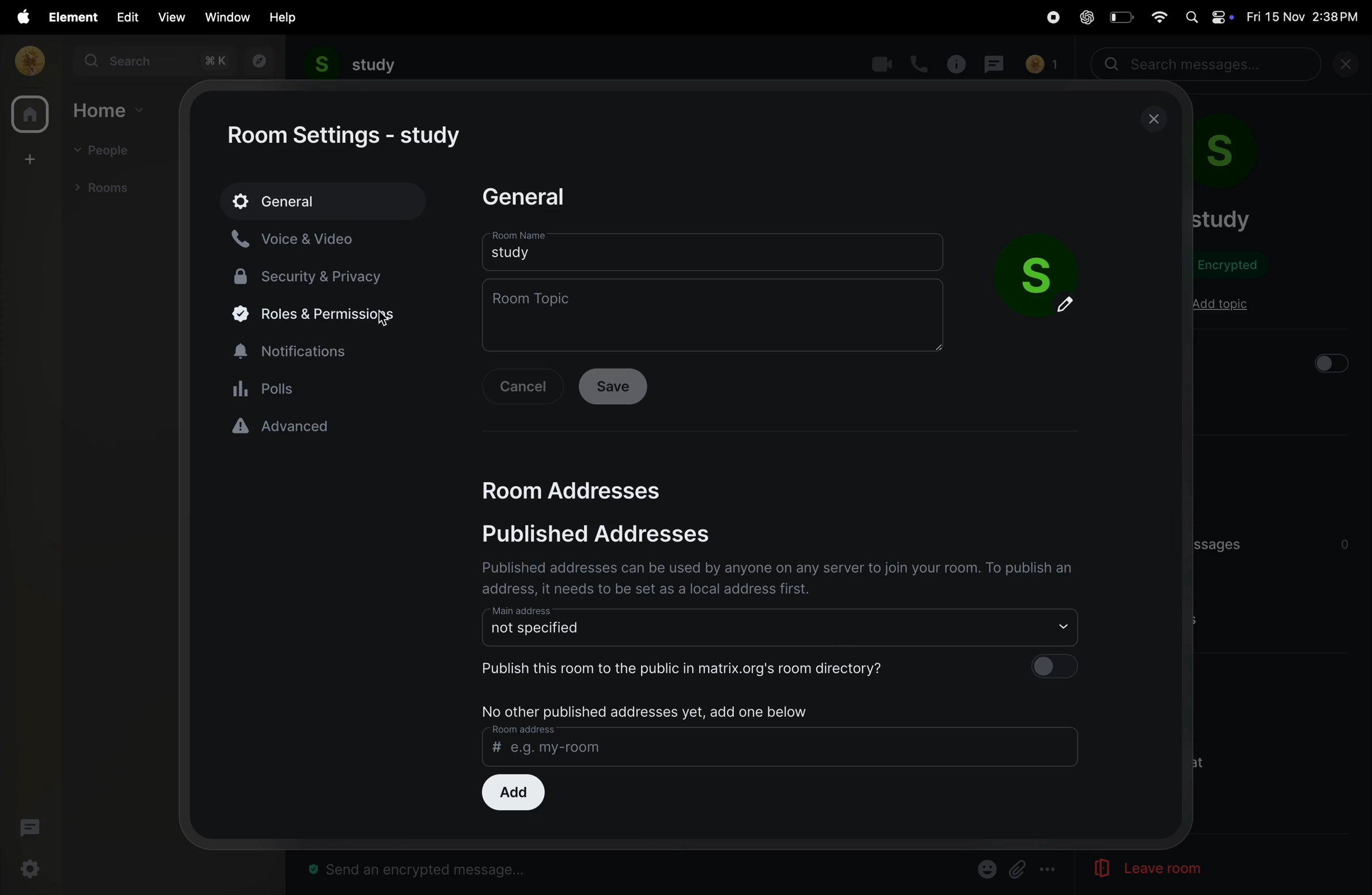  Describe the element at coordinates (29, 116) in the screenshot. I see `home ` at that location.